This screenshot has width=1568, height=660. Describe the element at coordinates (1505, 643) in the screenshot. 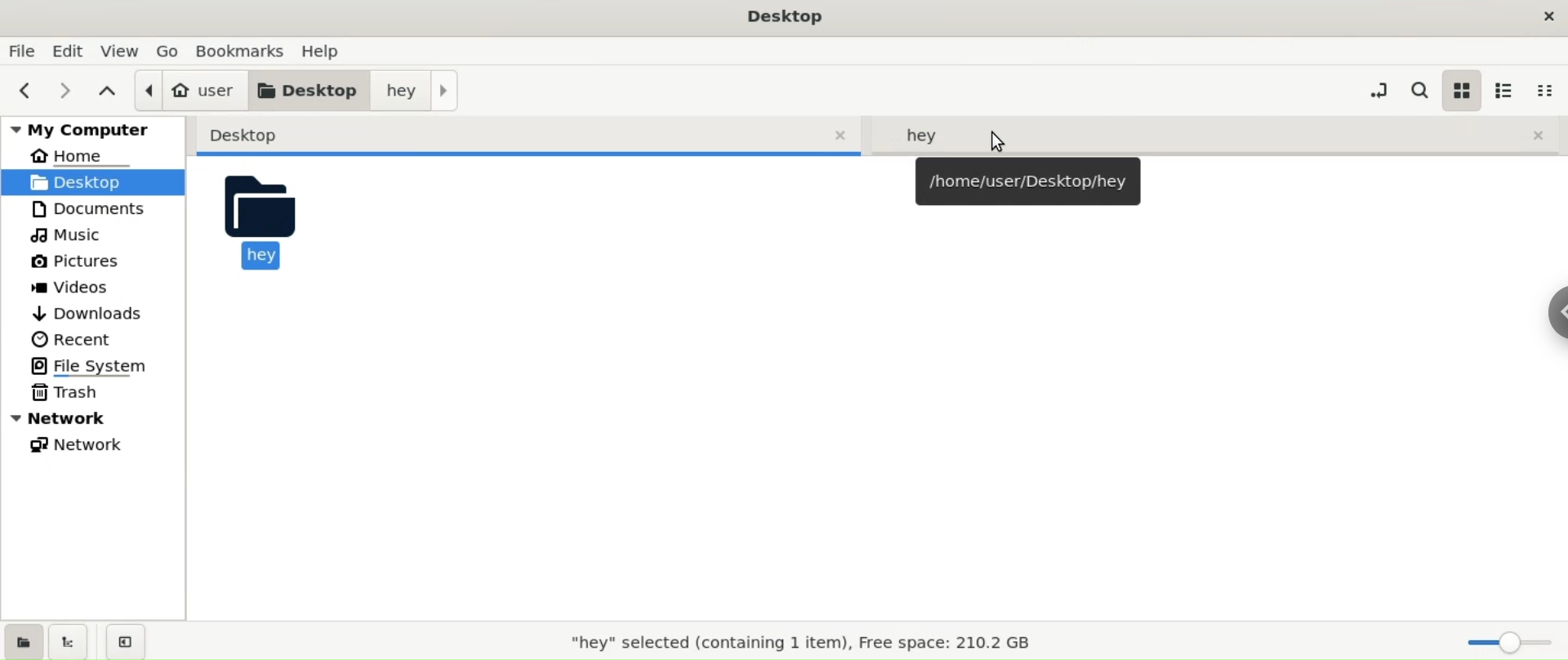

I see `zoom` at that location.